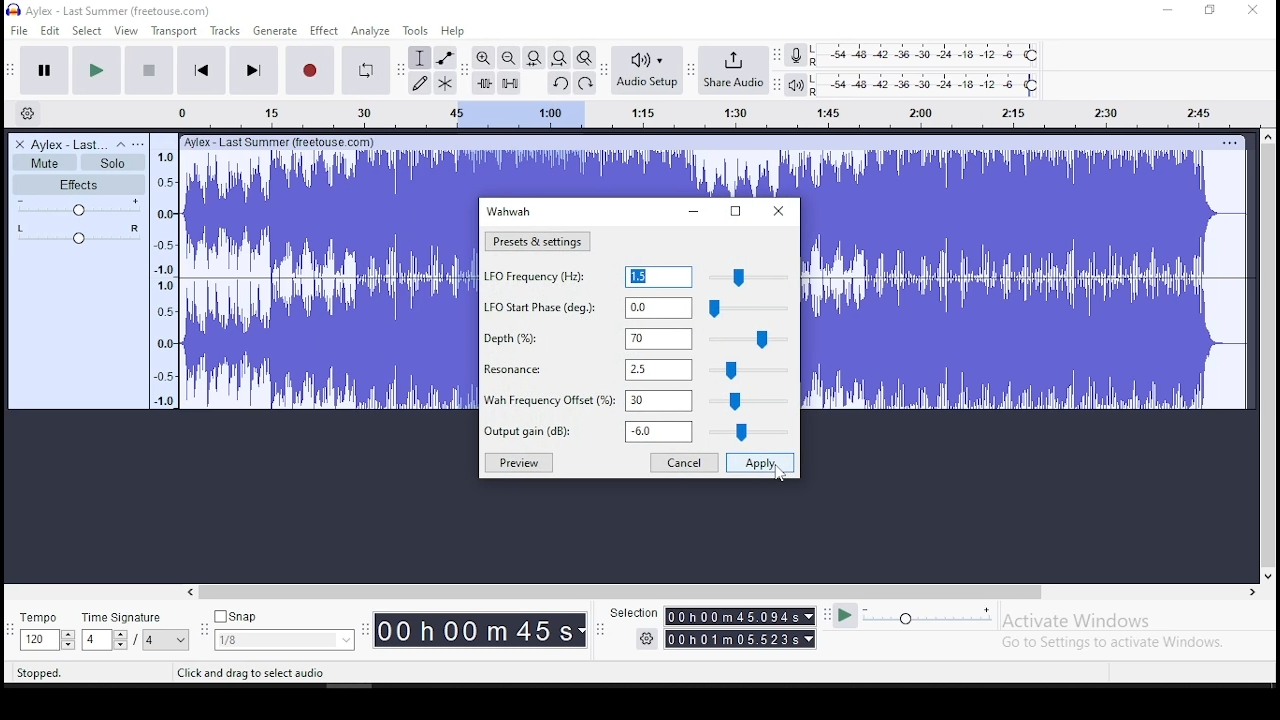  What do you see at coordinates (760, 463) in the screenshot?
I see `apply` at bounding box center [760, 463].